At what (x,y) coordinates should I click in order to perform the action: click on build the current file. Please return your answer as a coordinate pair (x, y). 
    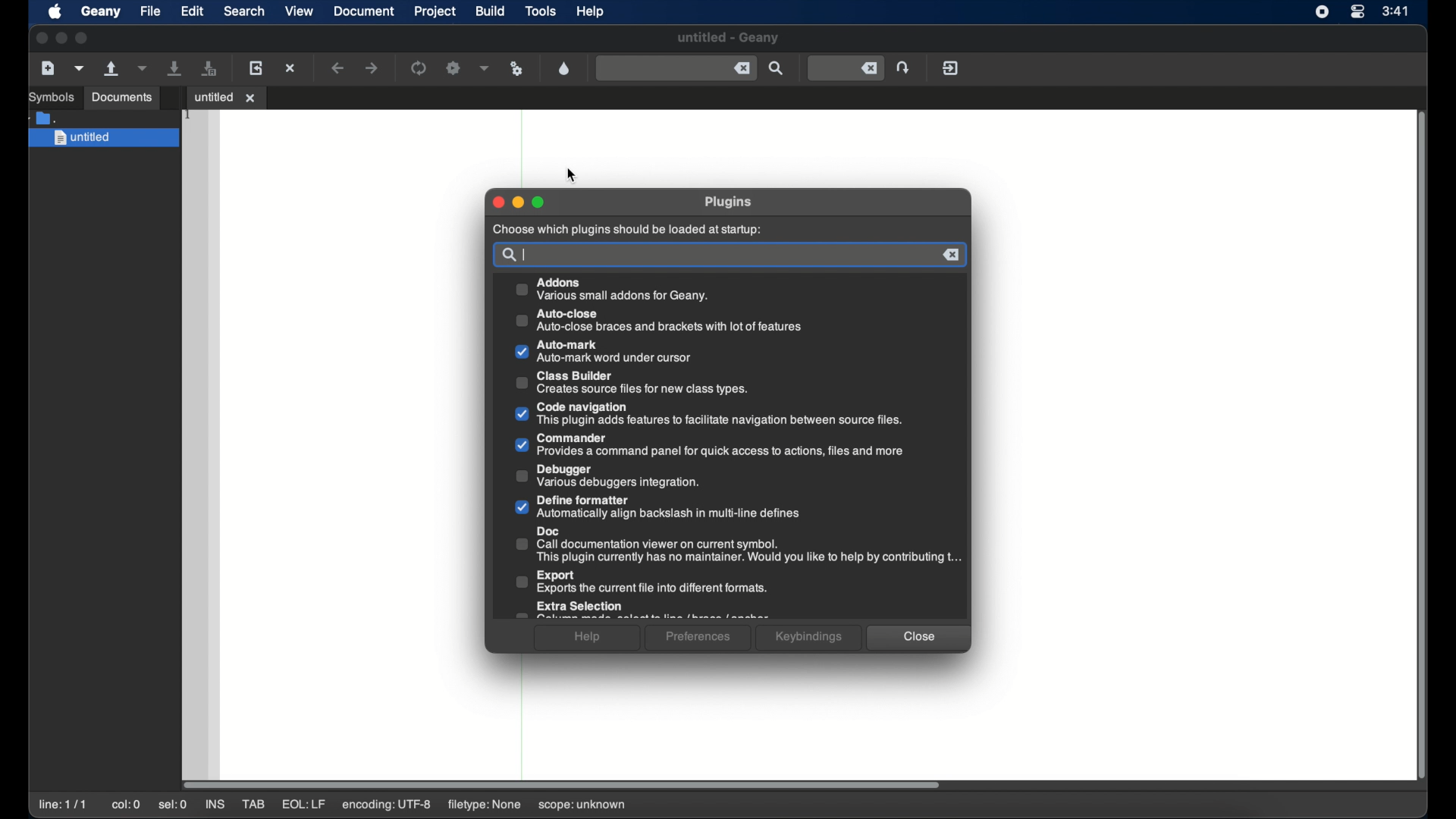
    Looking at the image, I should click on (453, 69).